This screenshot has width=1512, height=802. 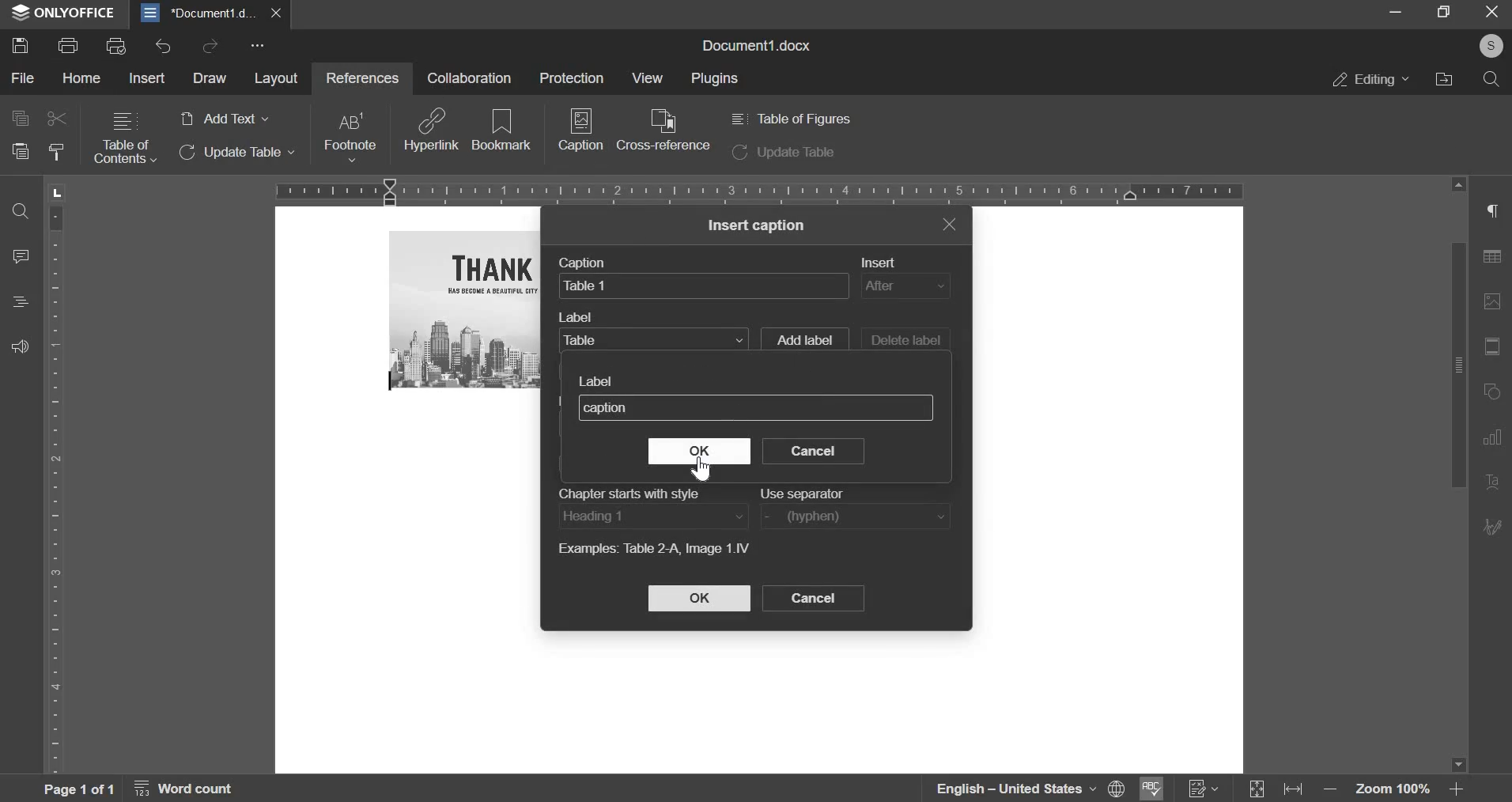 I want to click on hyperlink, so click(x=432, y=129).